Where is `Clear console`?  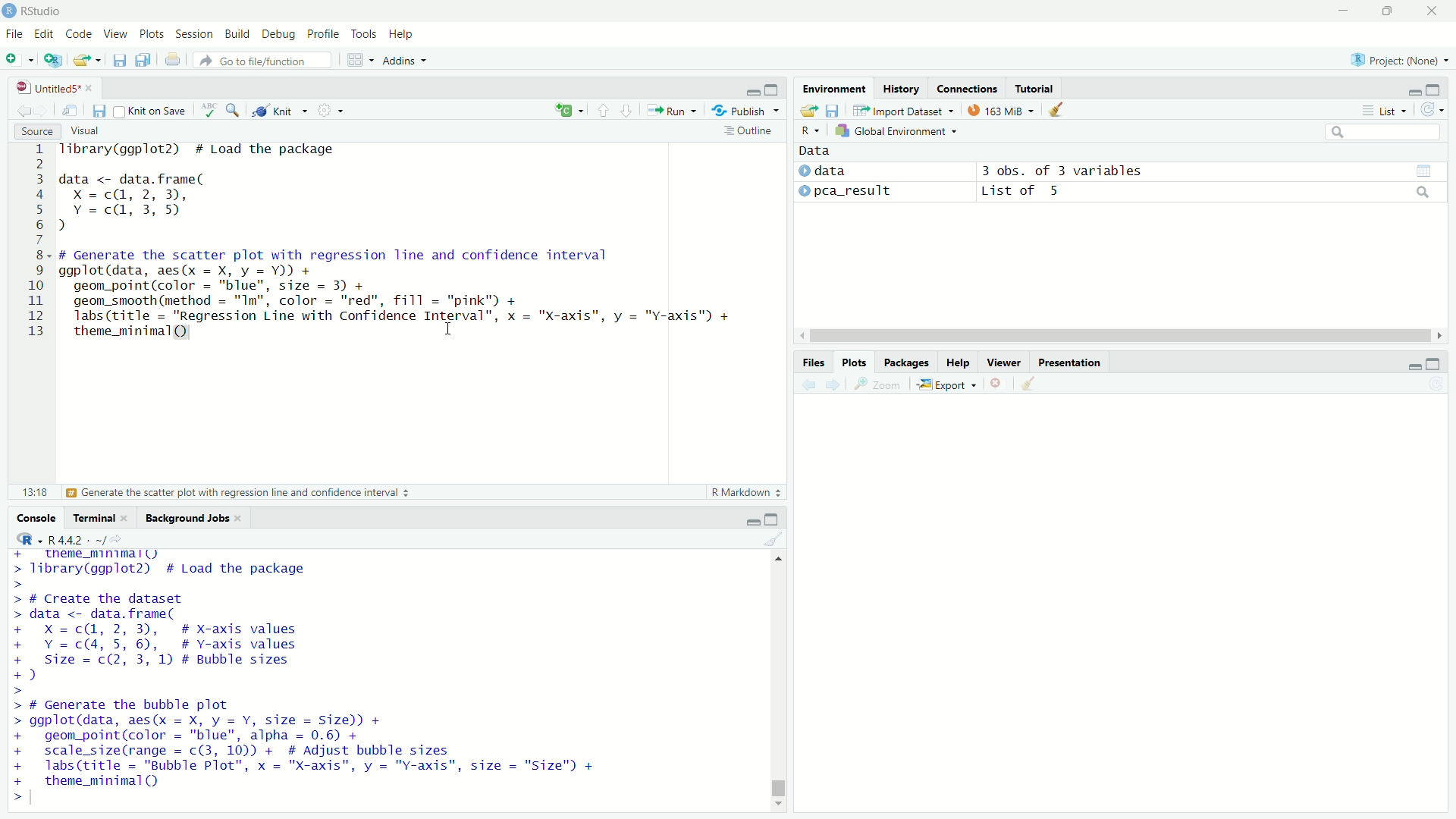 Clear console is located at coordinates (772, 539).